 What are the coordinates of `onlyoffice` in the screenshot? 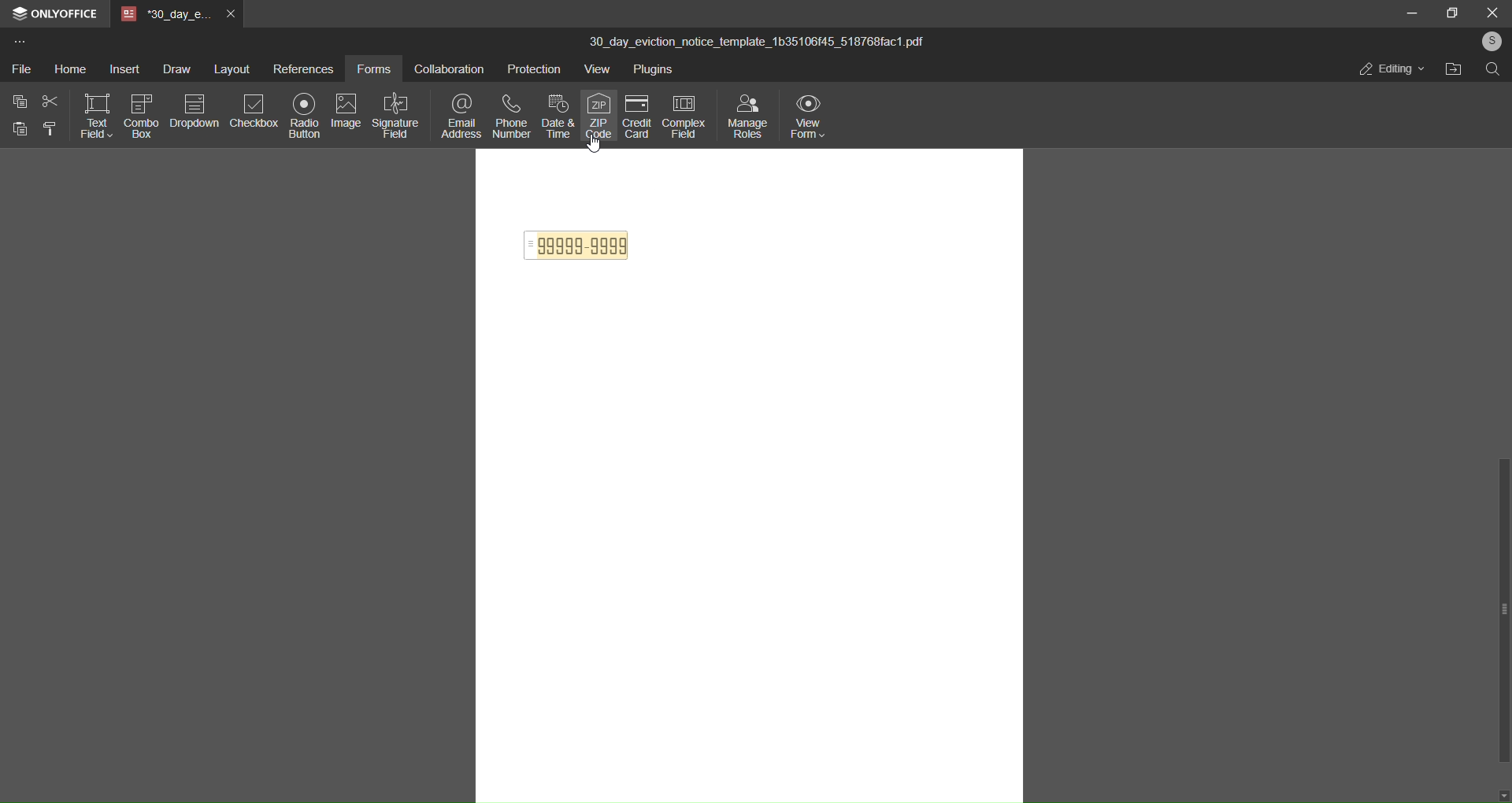 It's located at (68, 14).